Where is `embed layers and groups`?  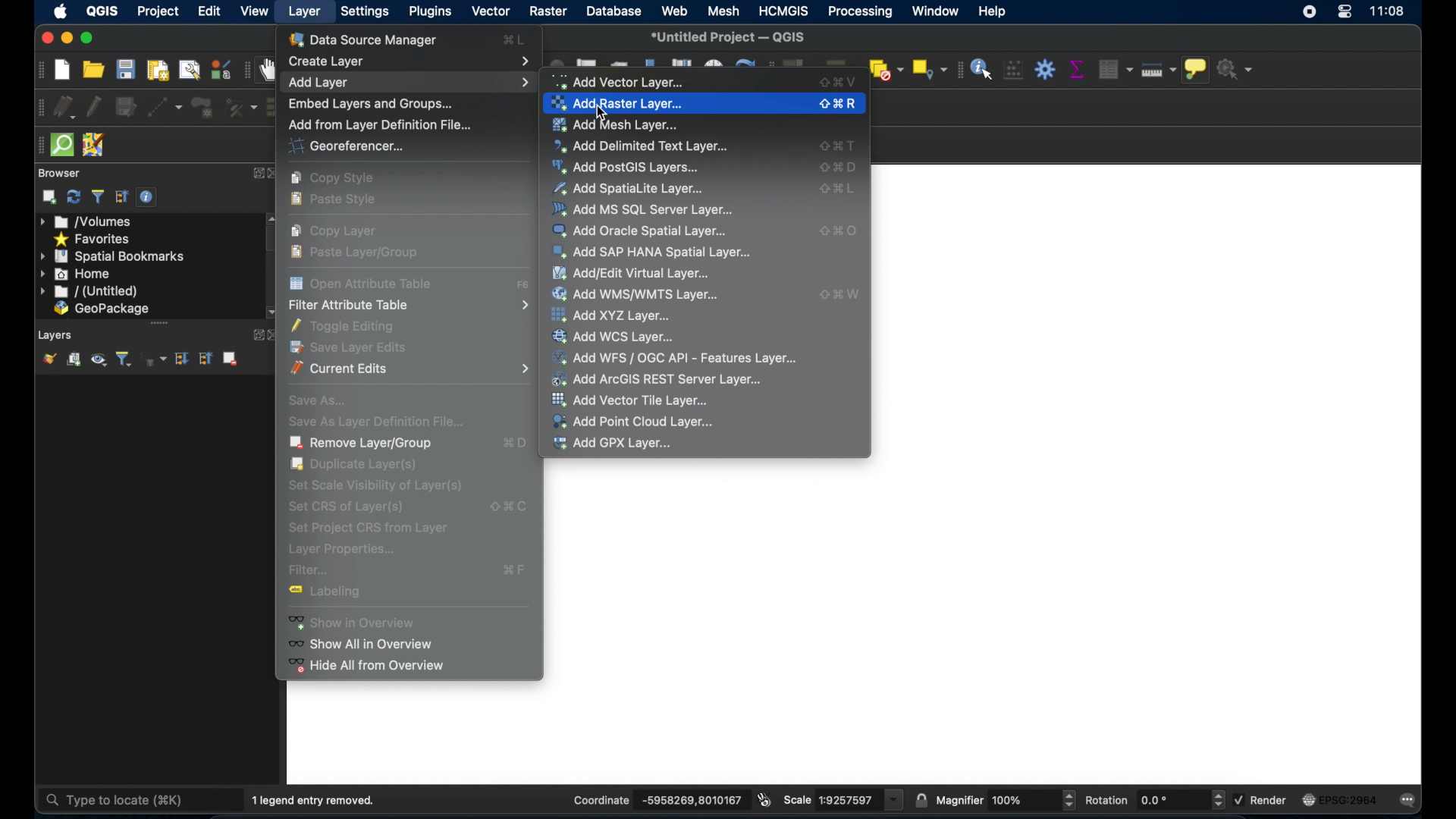
embed layers and groups is located at coordinates (370, 102).